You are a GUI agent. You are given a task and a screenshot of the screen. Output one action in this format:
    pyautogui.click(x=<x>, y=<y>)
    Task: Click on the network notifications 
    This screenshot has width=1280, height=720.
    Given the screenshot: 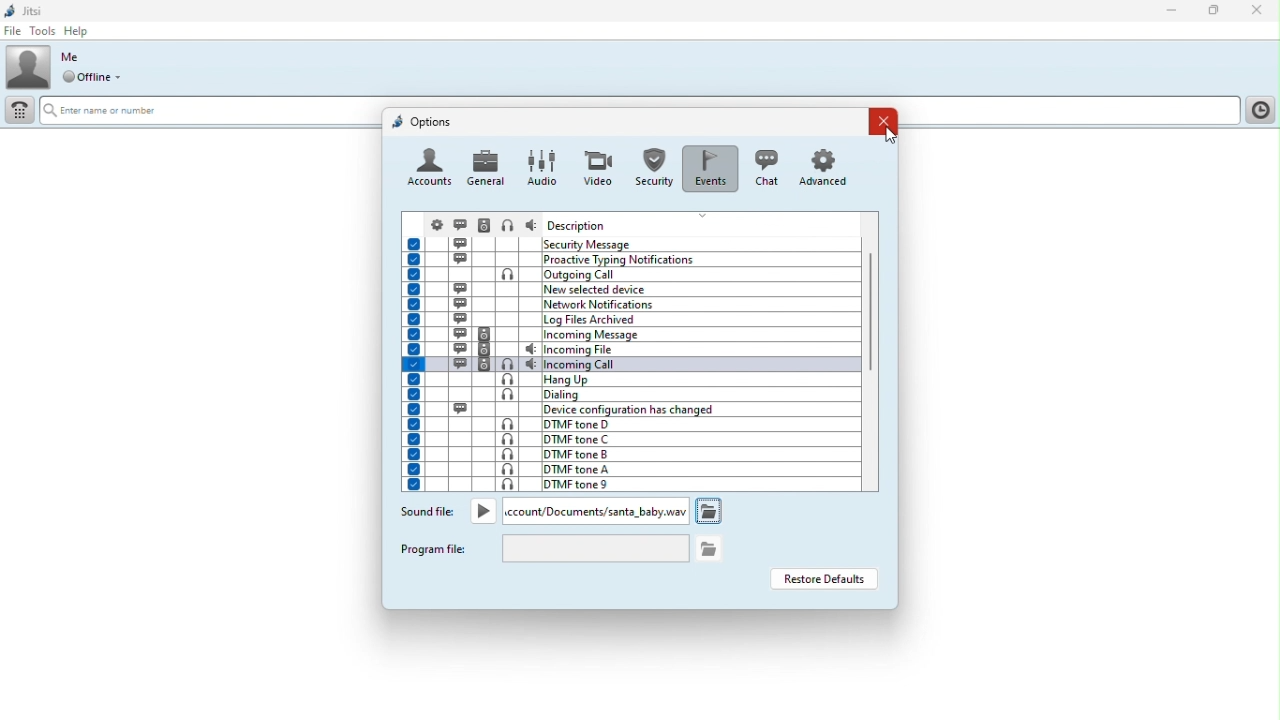 What is the action you would take?
    pyautogui.click(x=628, y=304)
    